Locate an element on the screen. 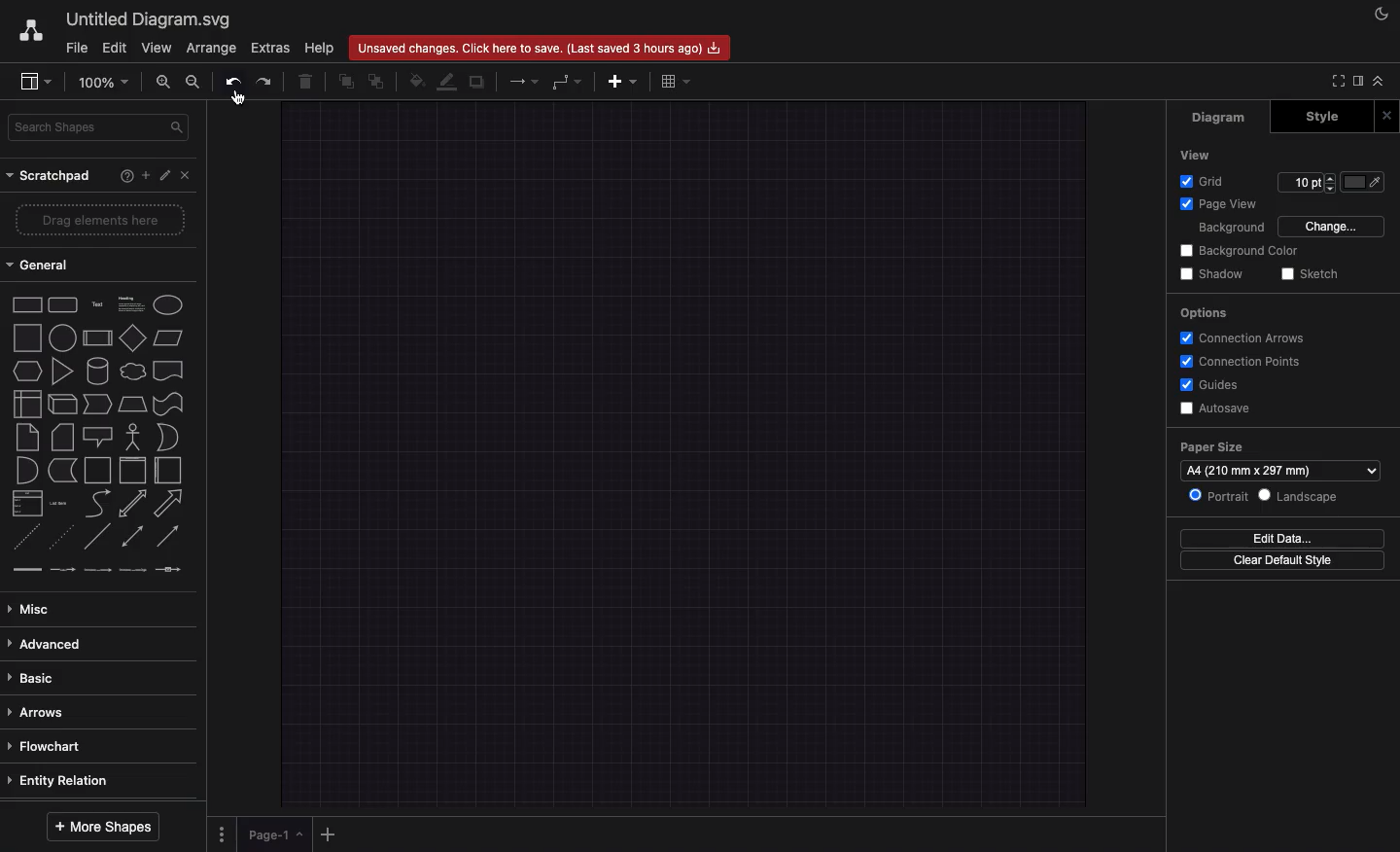 The height and width of the screenshot is (852, 1400). Guides is located at coordinates (1213, 385).